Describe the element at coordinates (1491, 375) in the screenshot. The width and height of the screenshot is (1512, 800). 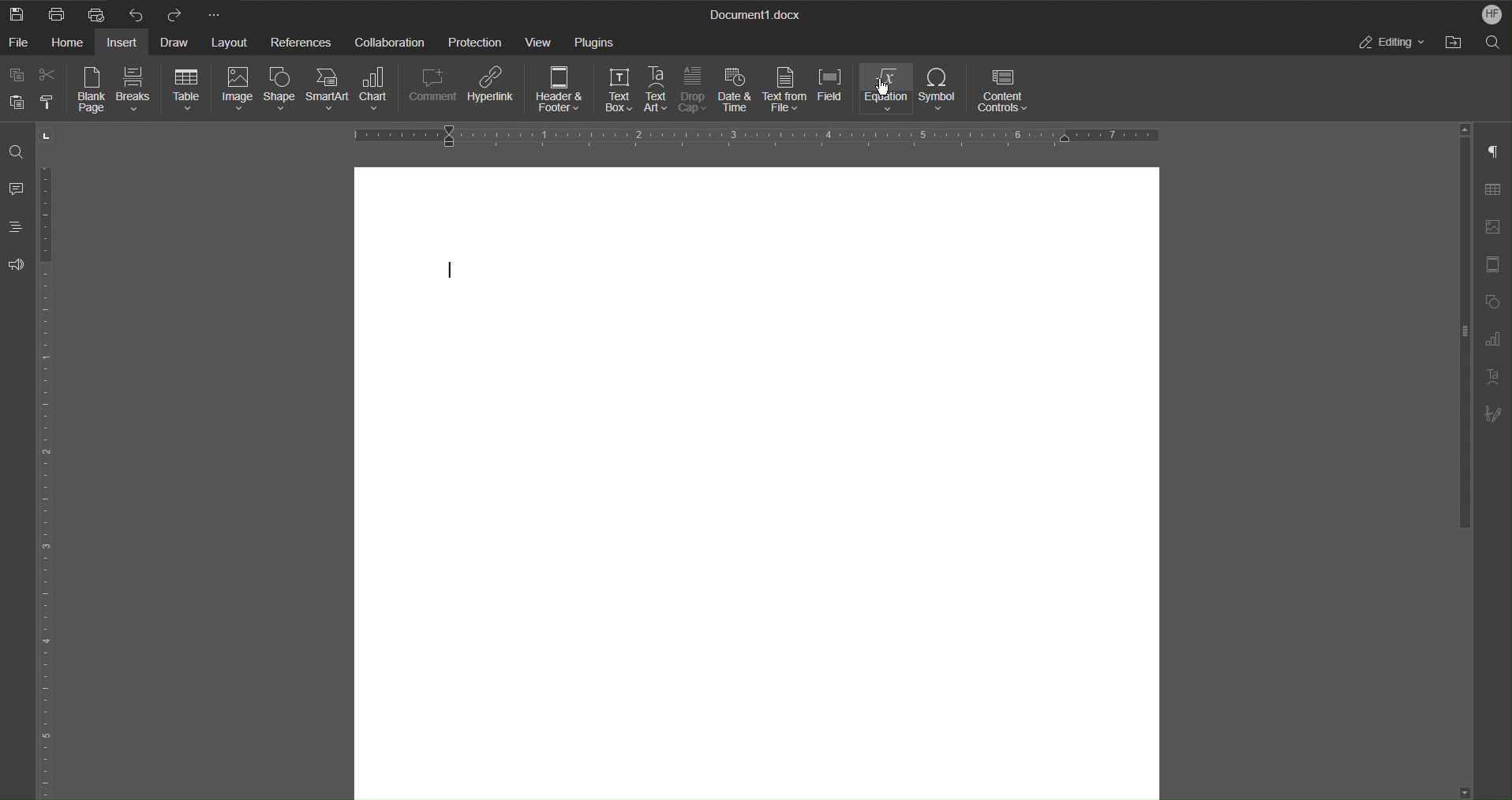
I see `Text Art` at that location.